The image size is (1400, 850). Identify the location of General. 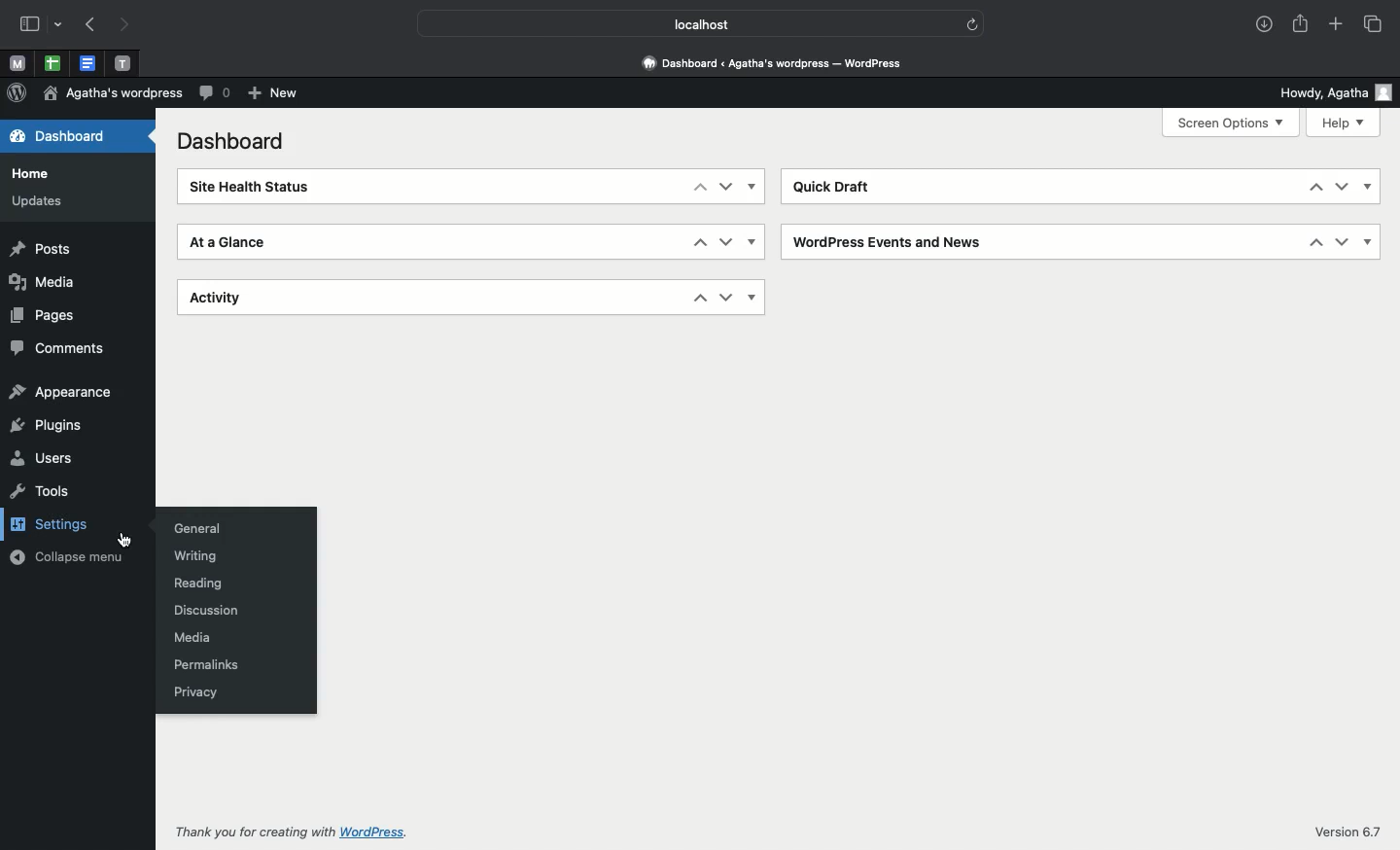
(191, 529).